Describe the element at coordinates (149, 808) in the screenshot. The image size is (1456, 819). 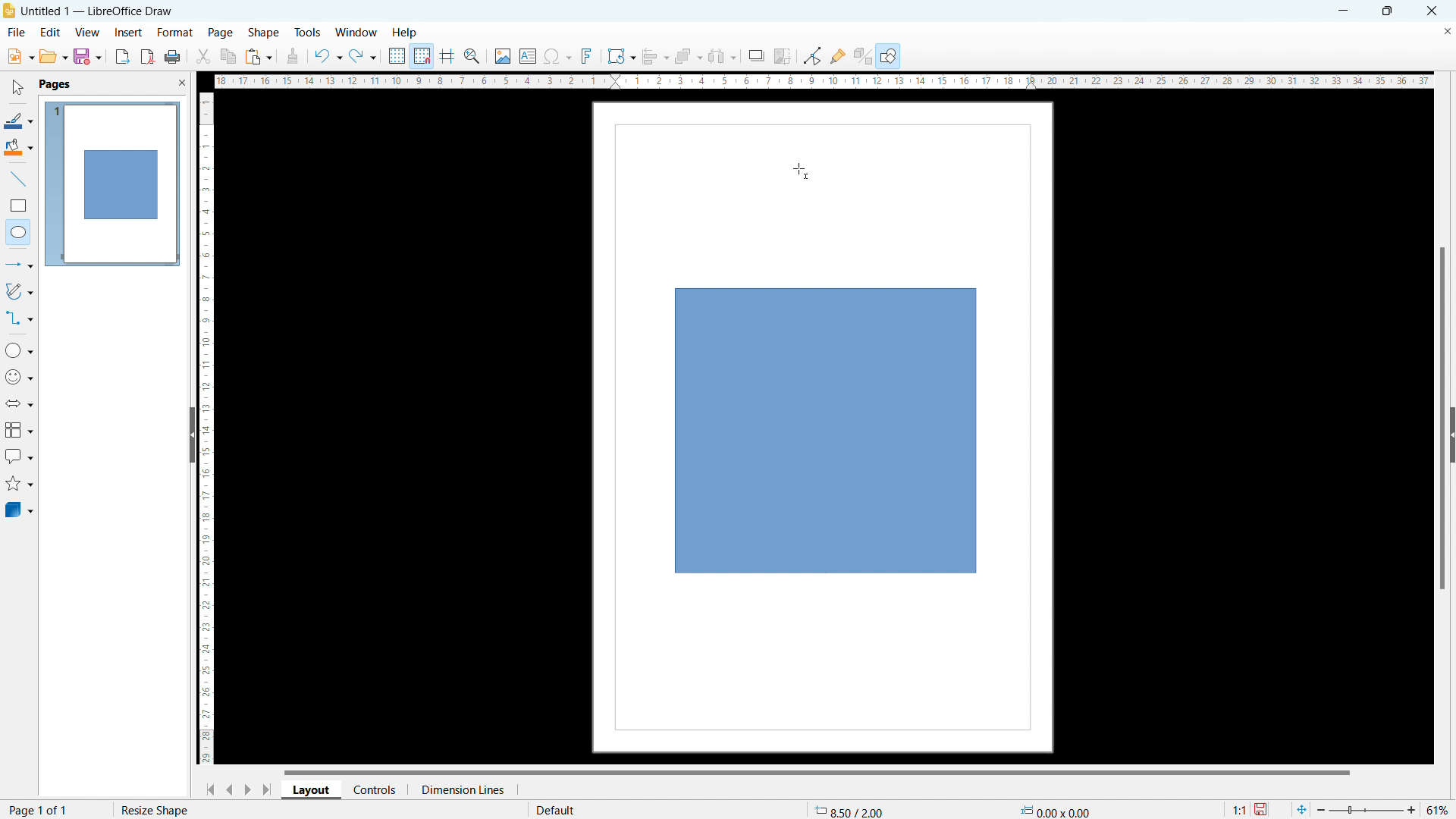
I see `resize shape` at that location.